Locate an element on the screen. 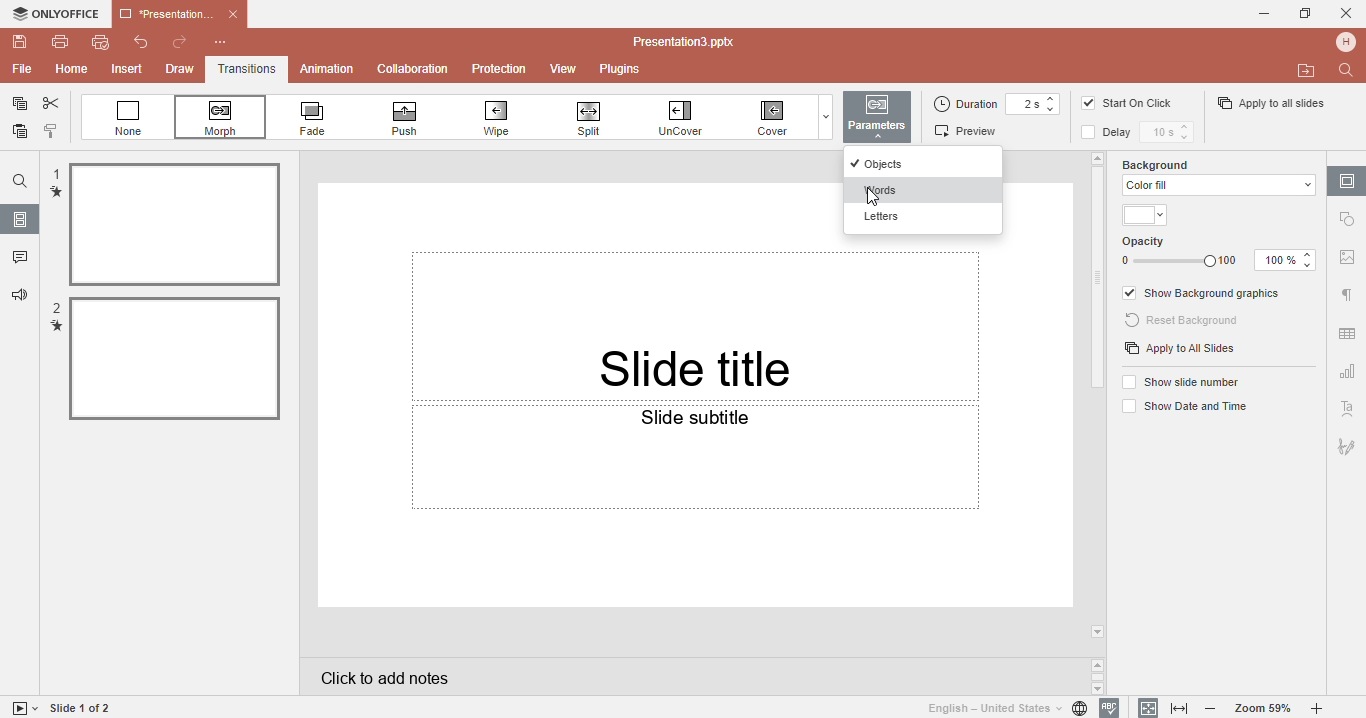 This screenshot has width=1366, height=718. Objects is located at coordinates (914, 163).